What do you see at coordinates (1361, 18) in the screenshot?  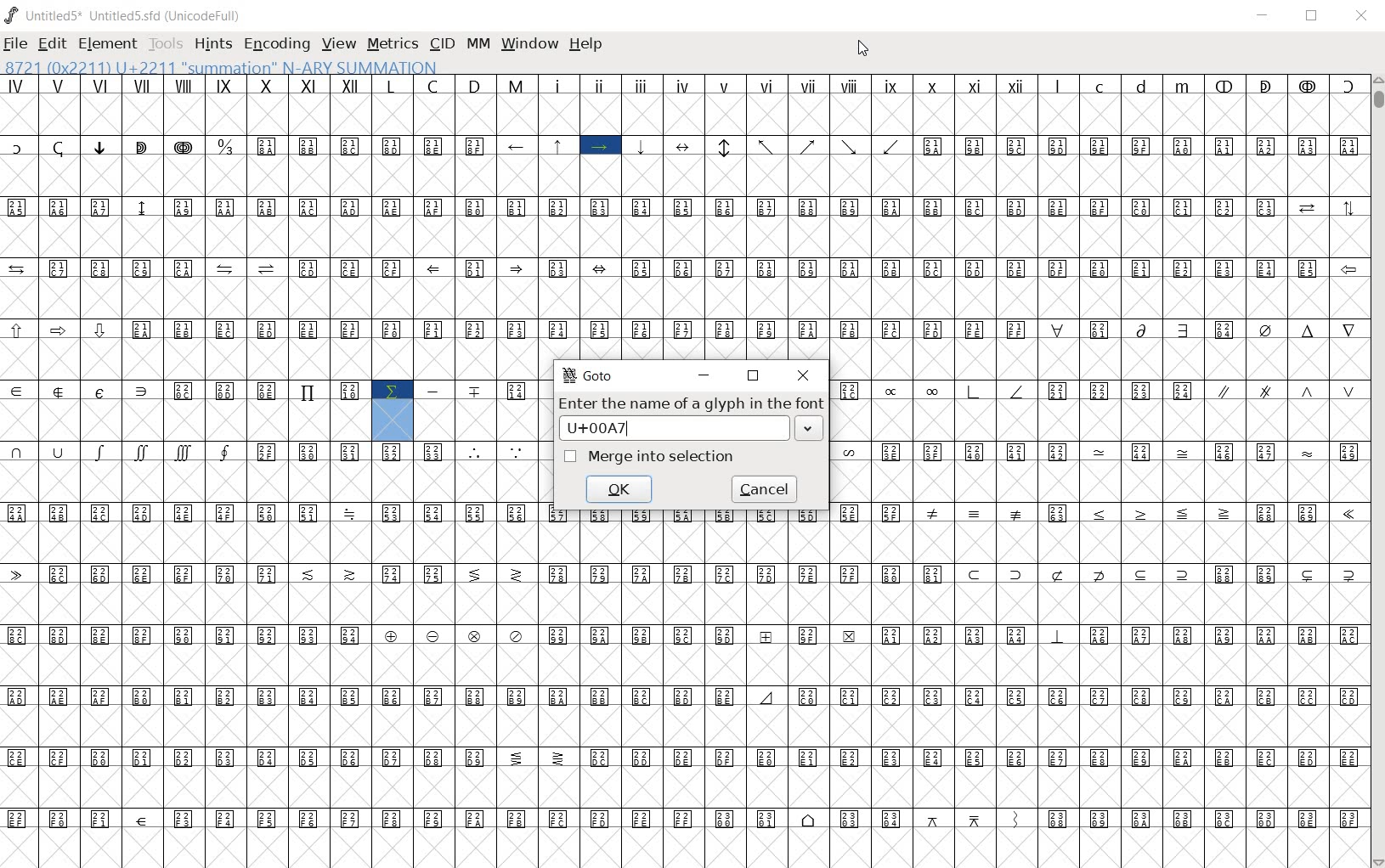 I see `CLOSE` at bounding box center [1361, 18].